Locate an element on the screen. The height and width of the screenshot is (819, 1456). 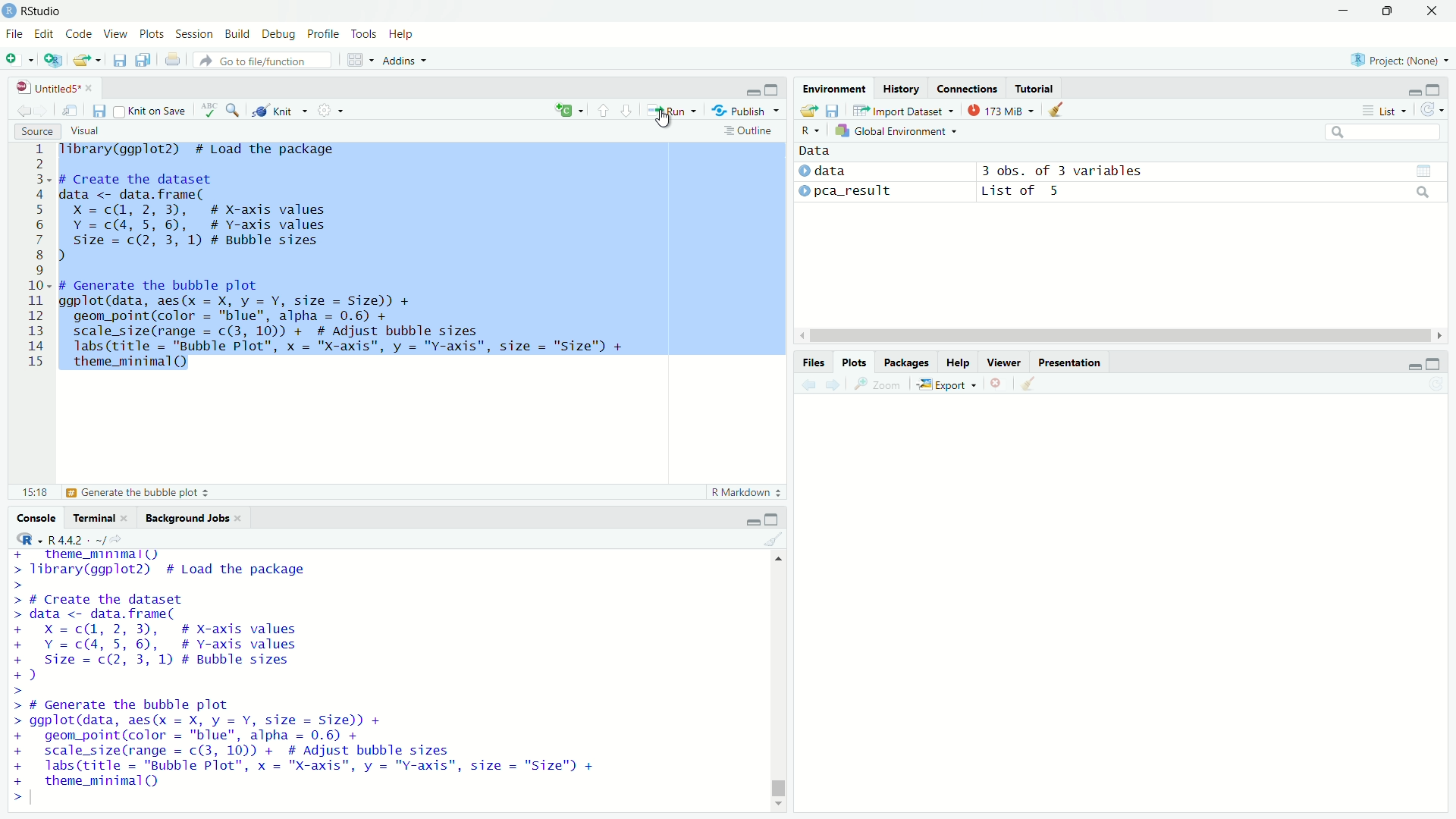
build is located at coordinates (238, 35).